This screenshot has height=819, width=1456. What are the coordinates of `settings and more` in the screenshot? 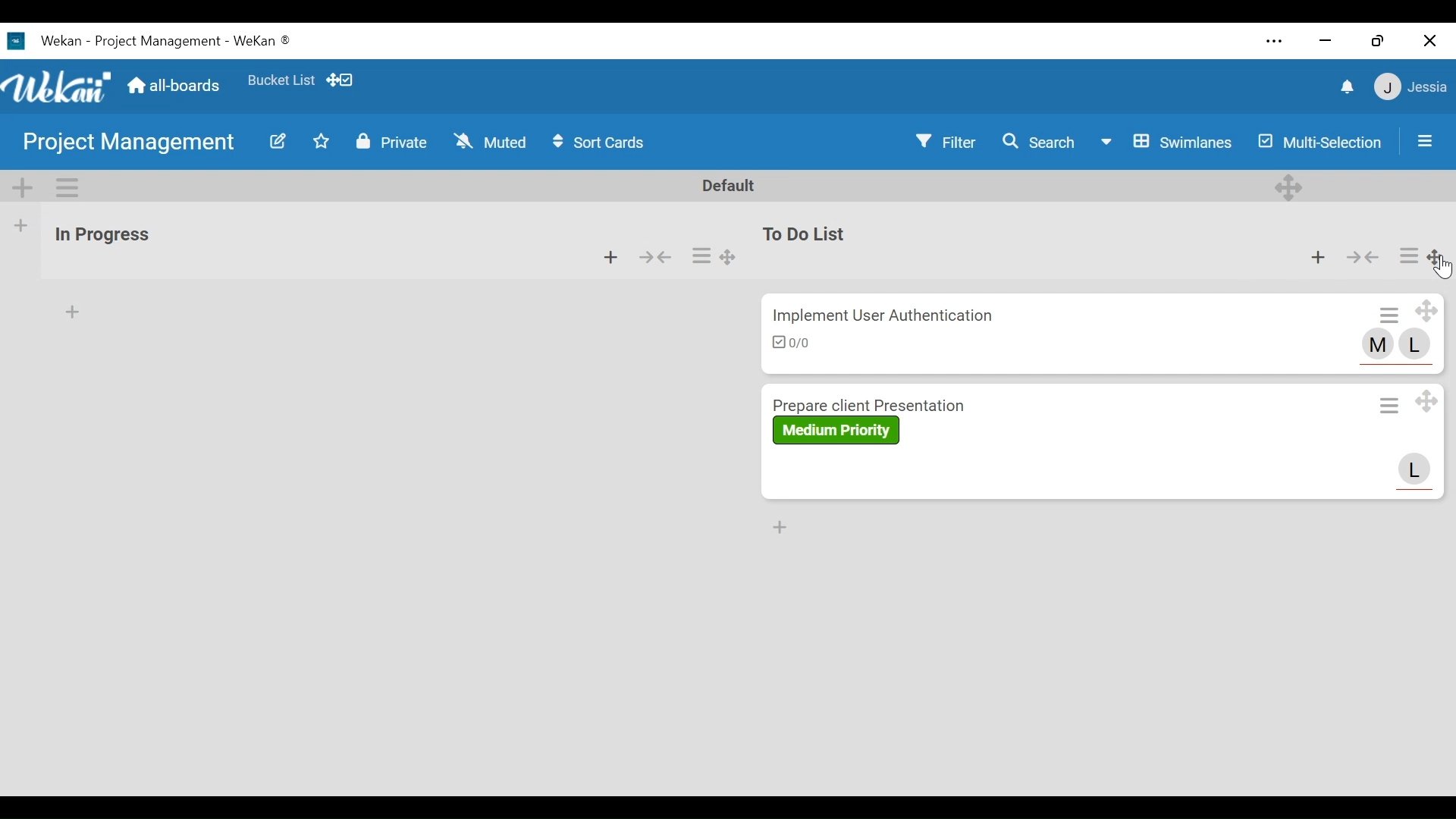 It's located at (1275, 41).